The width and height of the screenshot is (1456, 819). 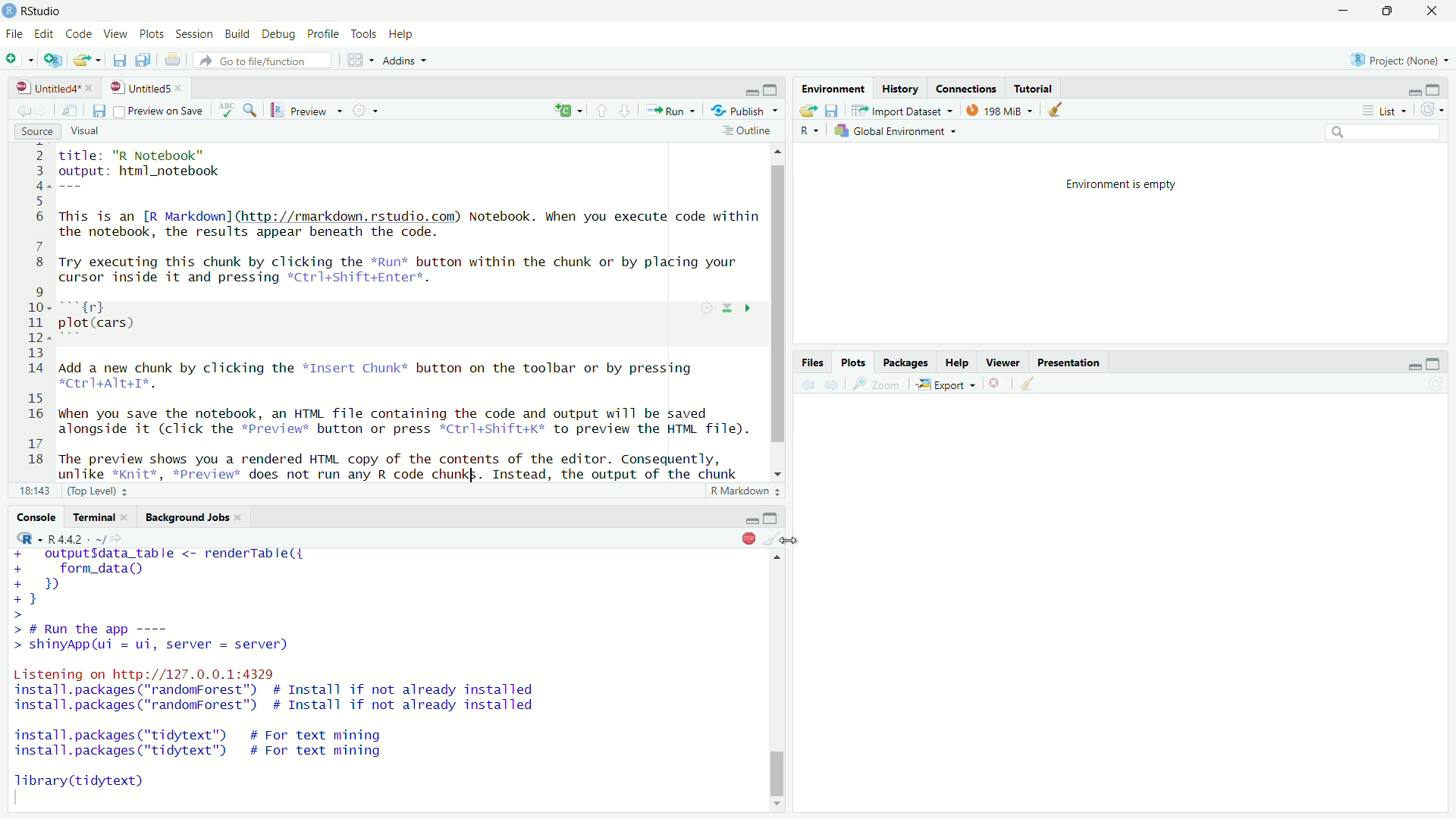 What do you see at coordinates (806, 131) in the screenshot?
I see `R` at bounding box center [806, 131].